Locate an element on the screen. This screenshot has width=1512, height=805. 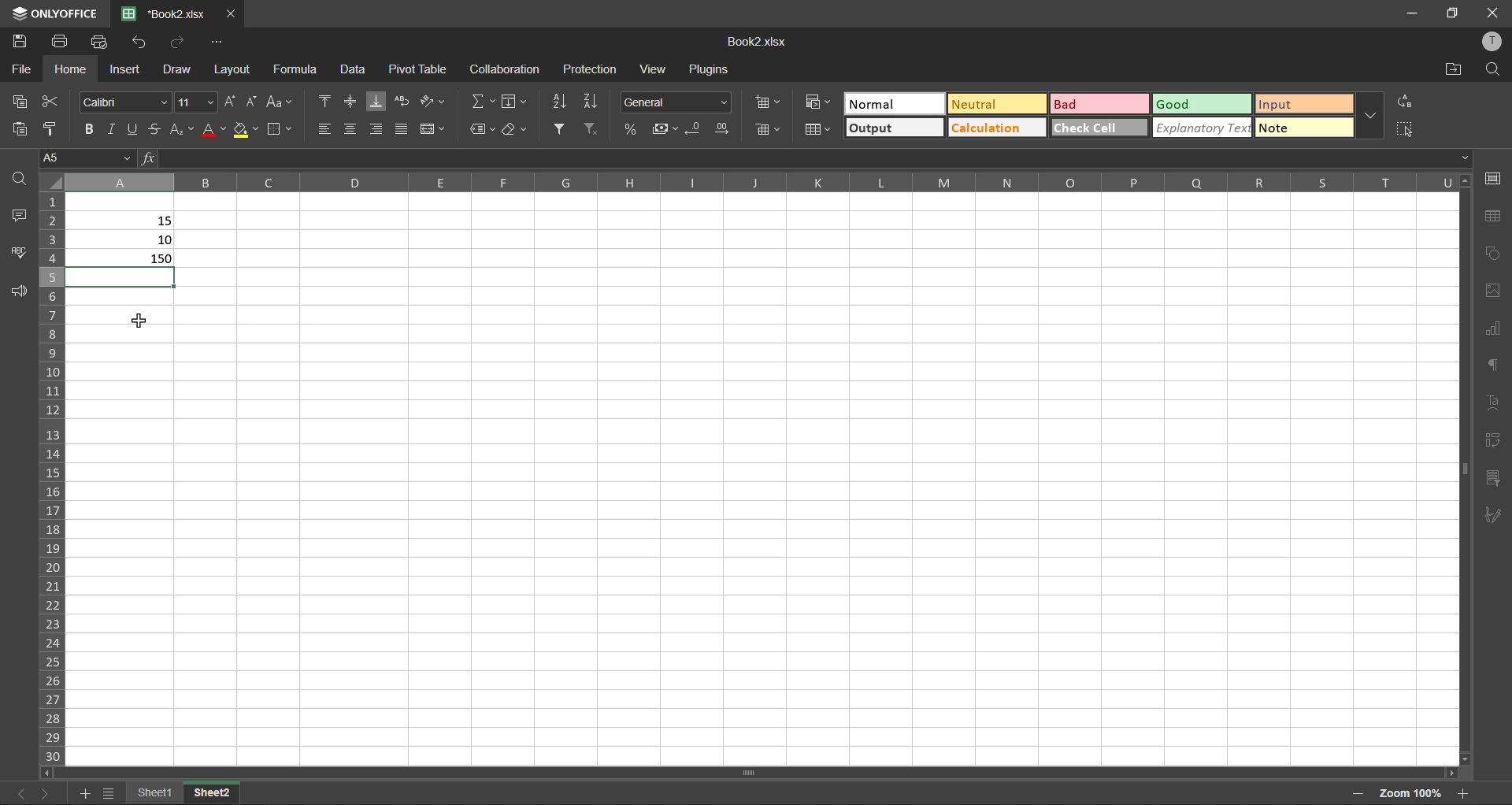
undo is located at coordinates (143, 43).